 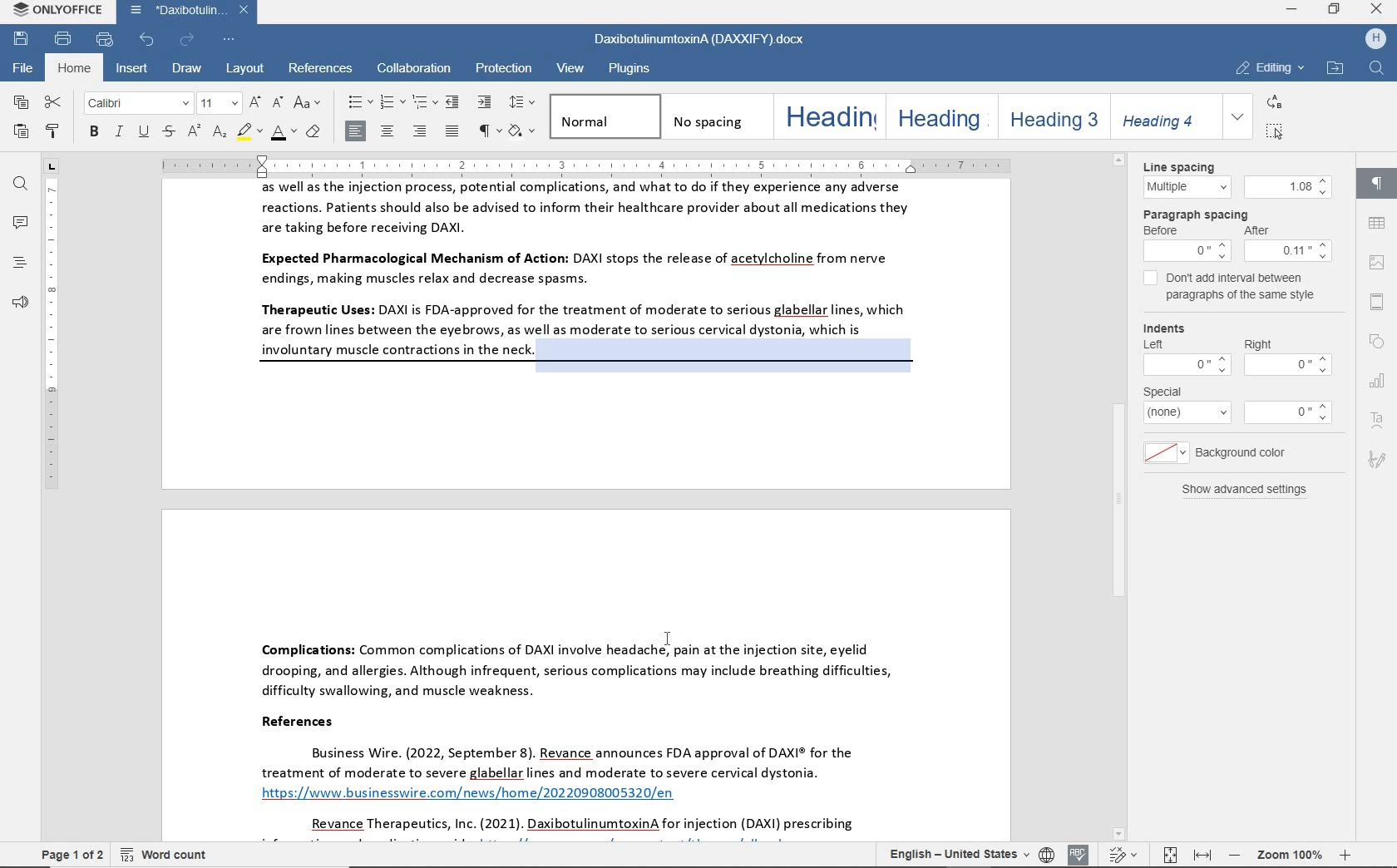 What do you see at coordinates (191, 11) in the screenshot?
I see `document name` at bounding box center [191, 11].